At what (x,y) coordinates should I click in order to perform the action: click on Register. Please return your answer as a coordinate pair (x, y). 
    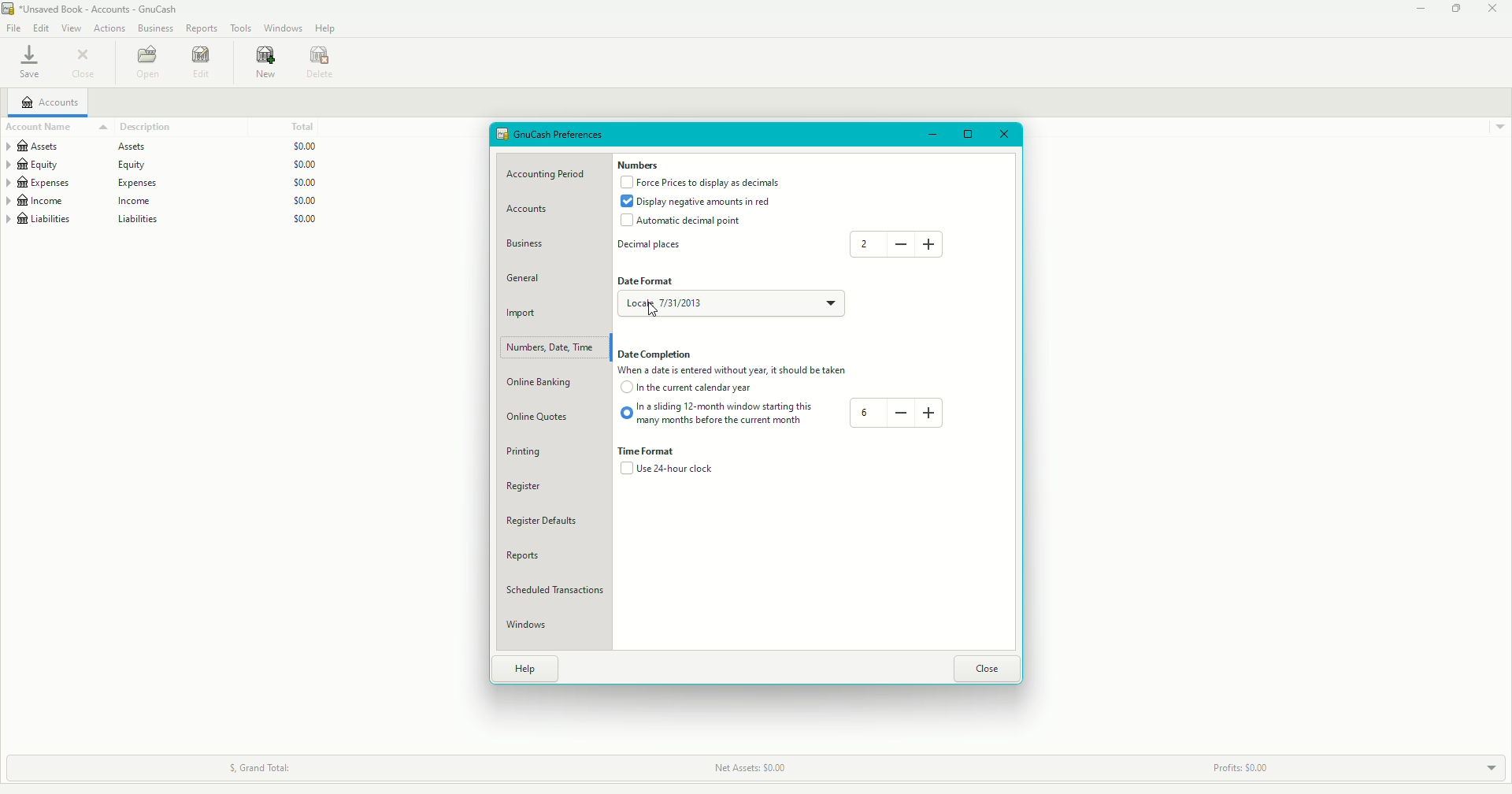
    Looking at the image, I should click on (535, 487).